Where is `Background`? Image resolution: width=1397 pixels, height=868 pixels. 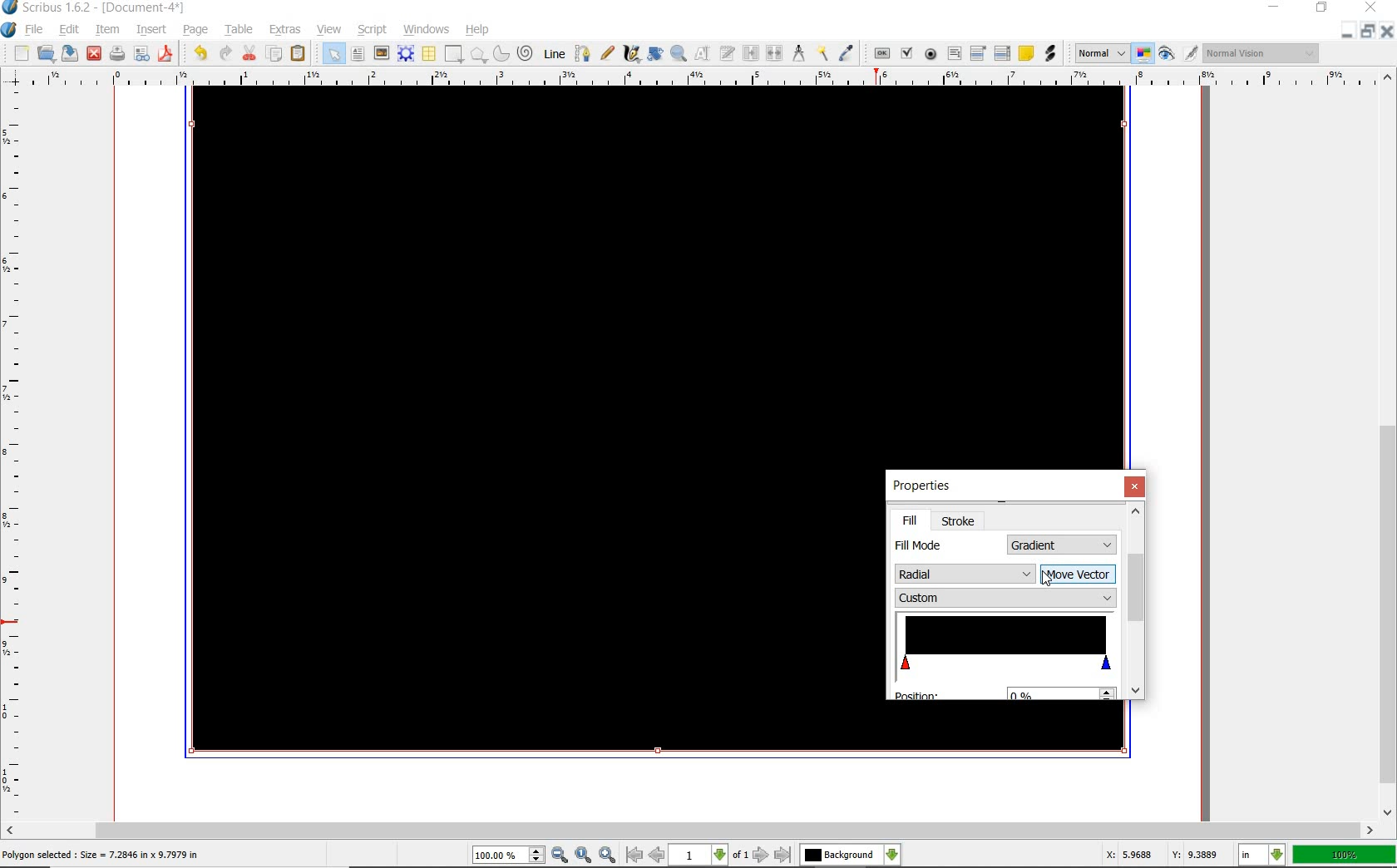
Background is located at coordinates (851, 856).